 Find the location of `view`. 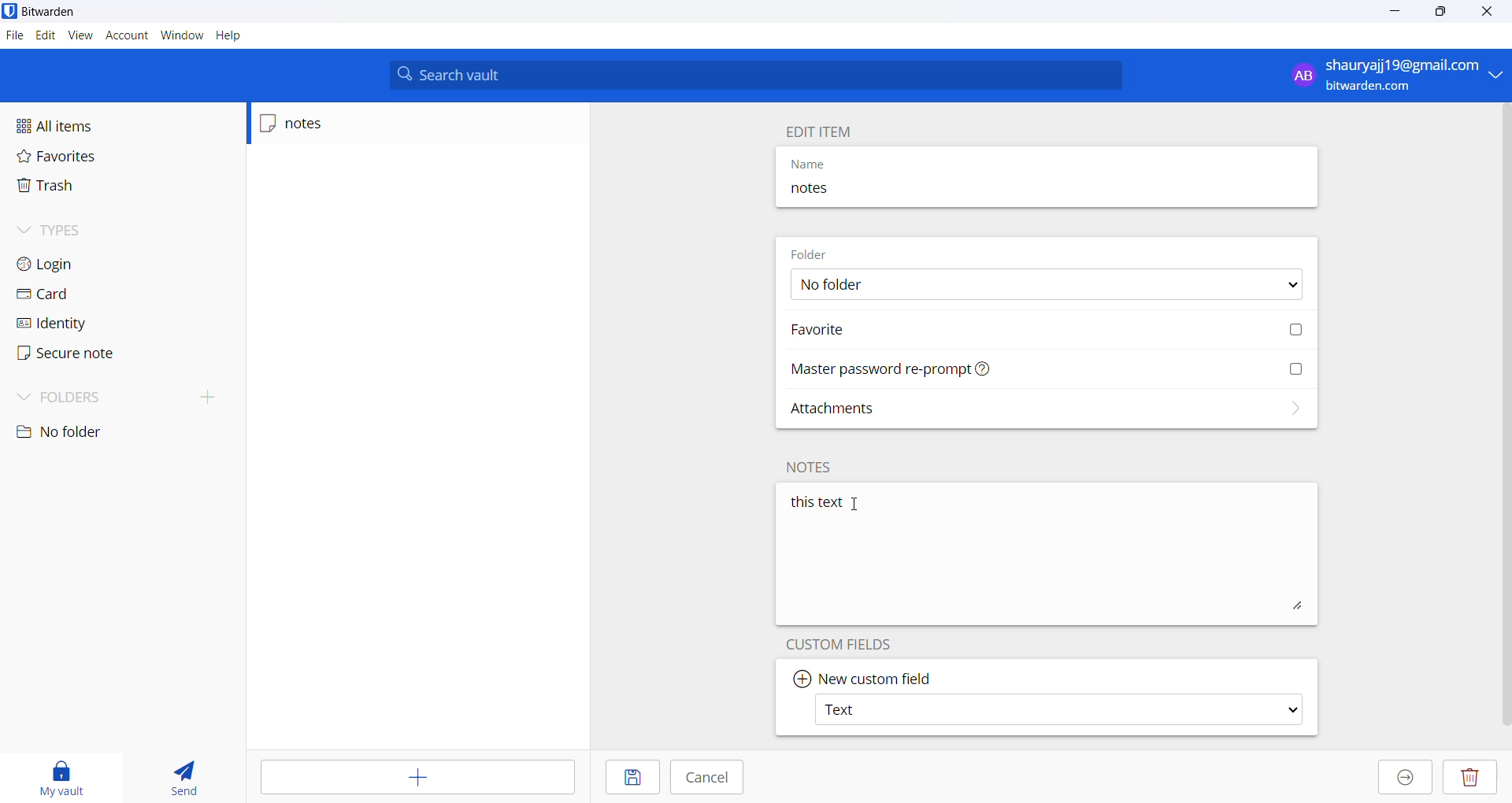

view is located at coordinates (79, 35).